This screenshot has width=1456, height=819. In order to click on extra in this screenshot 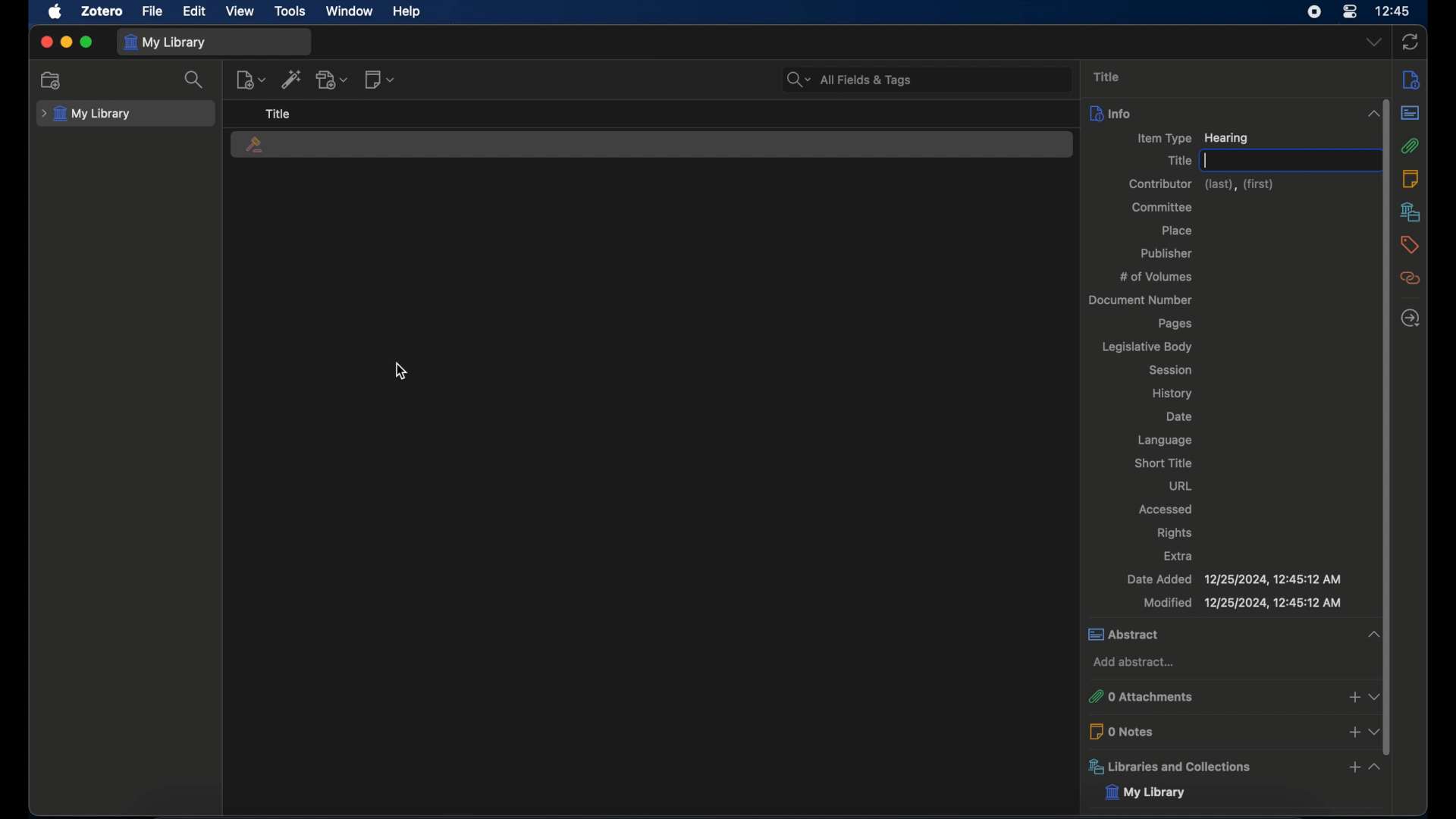, I will do `click(1179, 555)`.